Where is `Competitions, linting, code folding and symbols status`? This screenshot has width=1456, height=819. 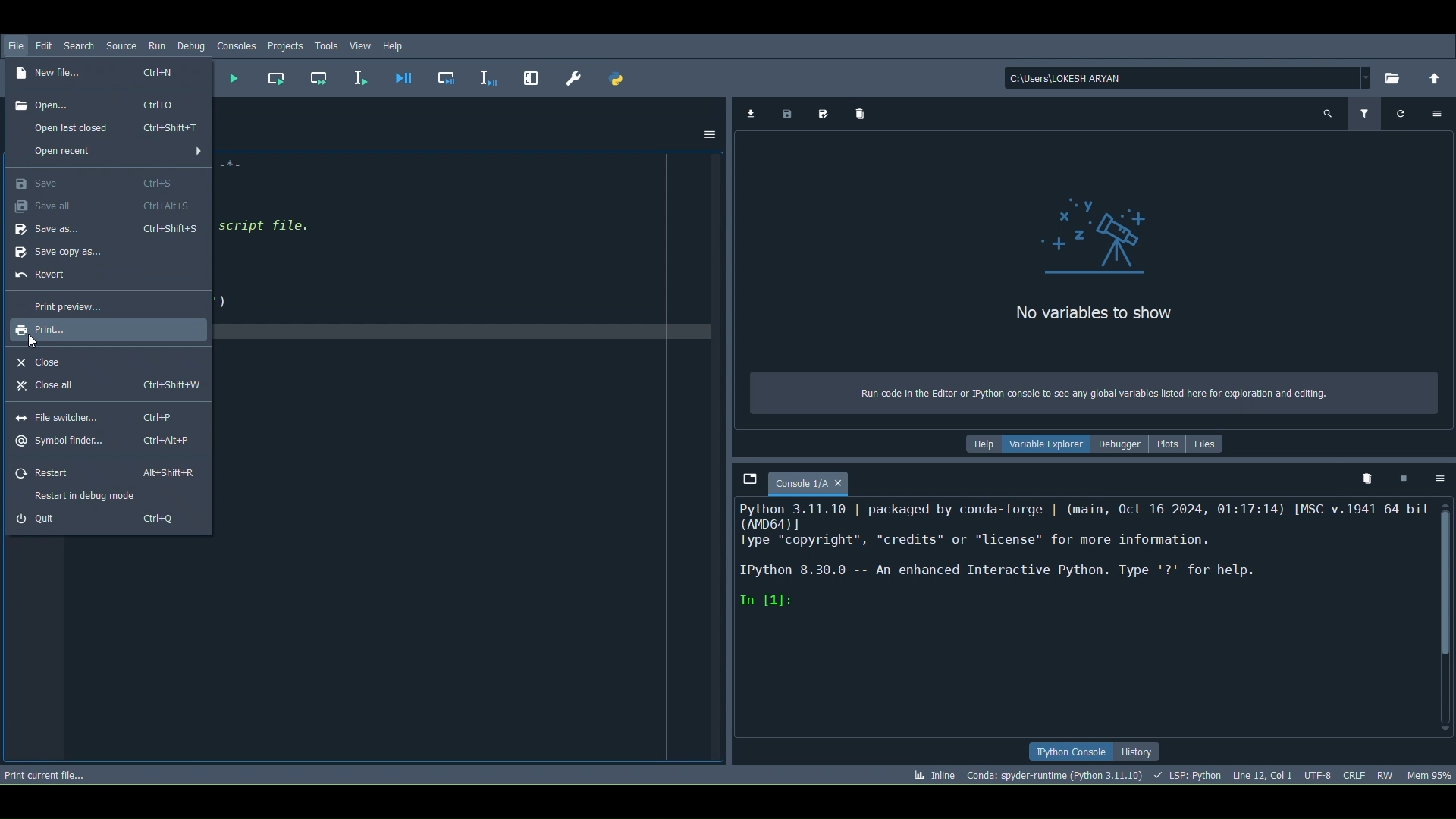
Competitions, linting, code folding and symbols status is located at coordinates (1191, 777).